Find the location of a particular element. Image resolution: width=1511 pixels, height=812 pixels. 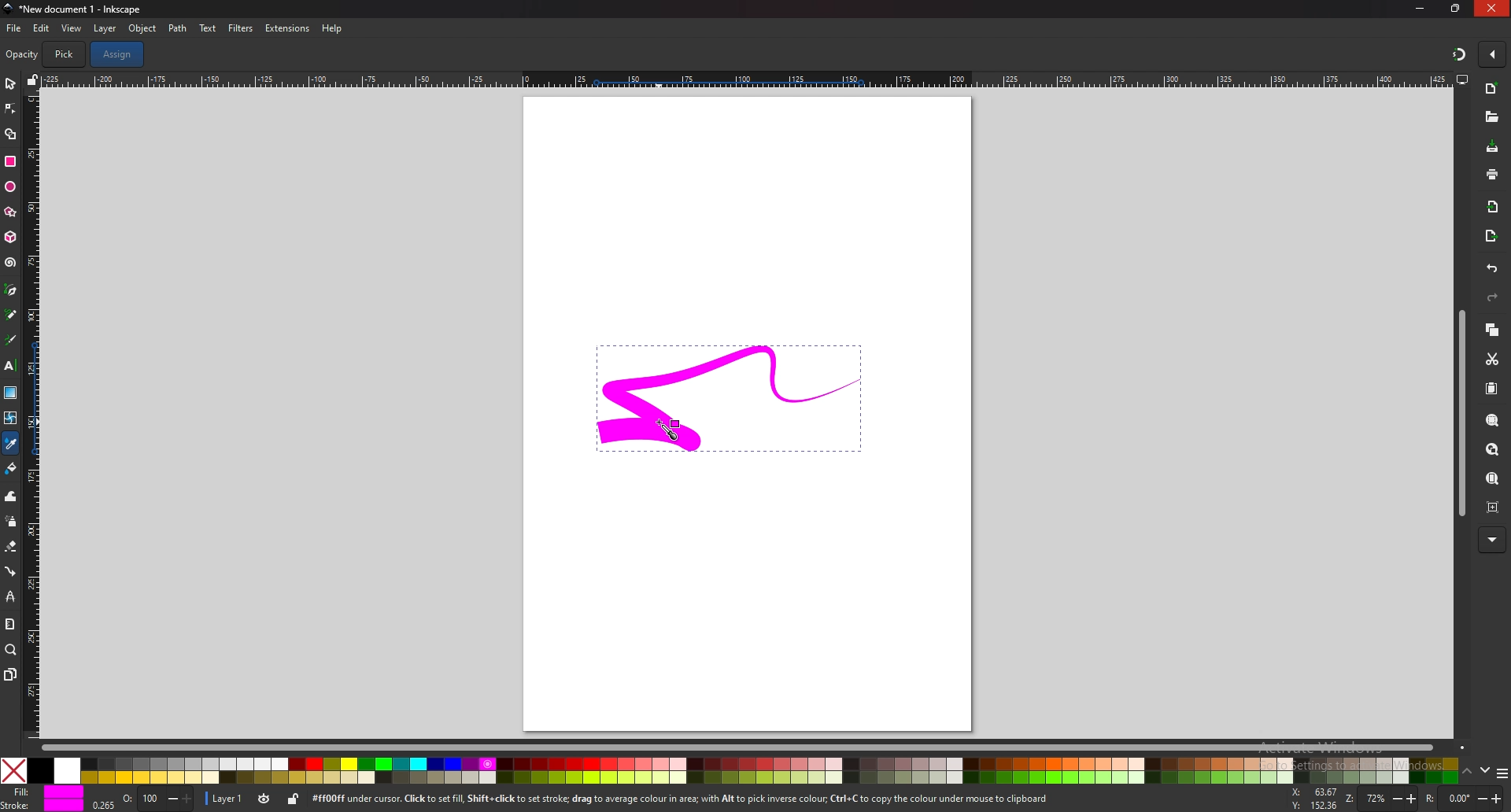

path is located at coordinates (177, 27).